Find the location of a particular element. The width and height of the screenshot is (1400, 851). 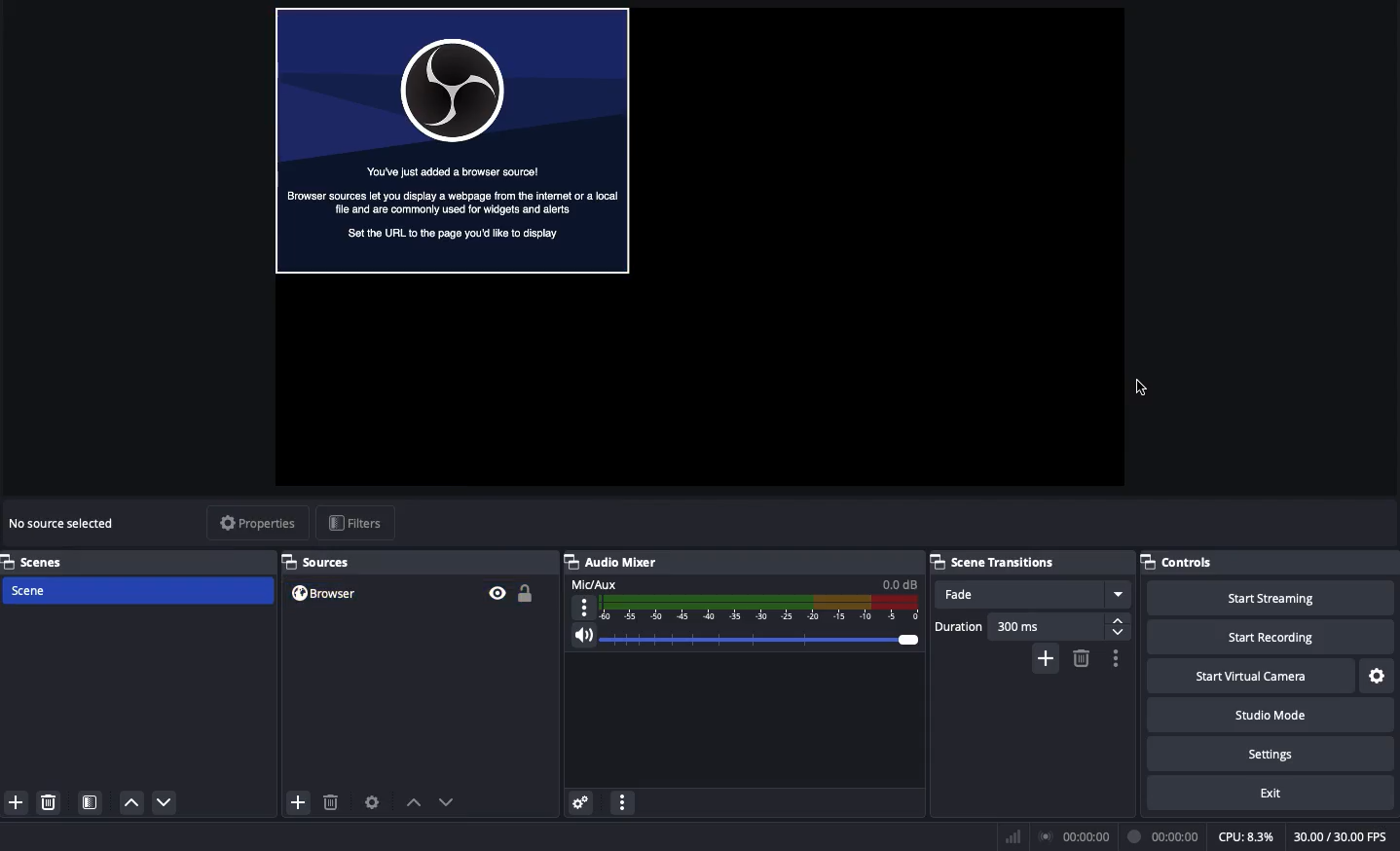

CPU is located at coordinates (1248, 836).